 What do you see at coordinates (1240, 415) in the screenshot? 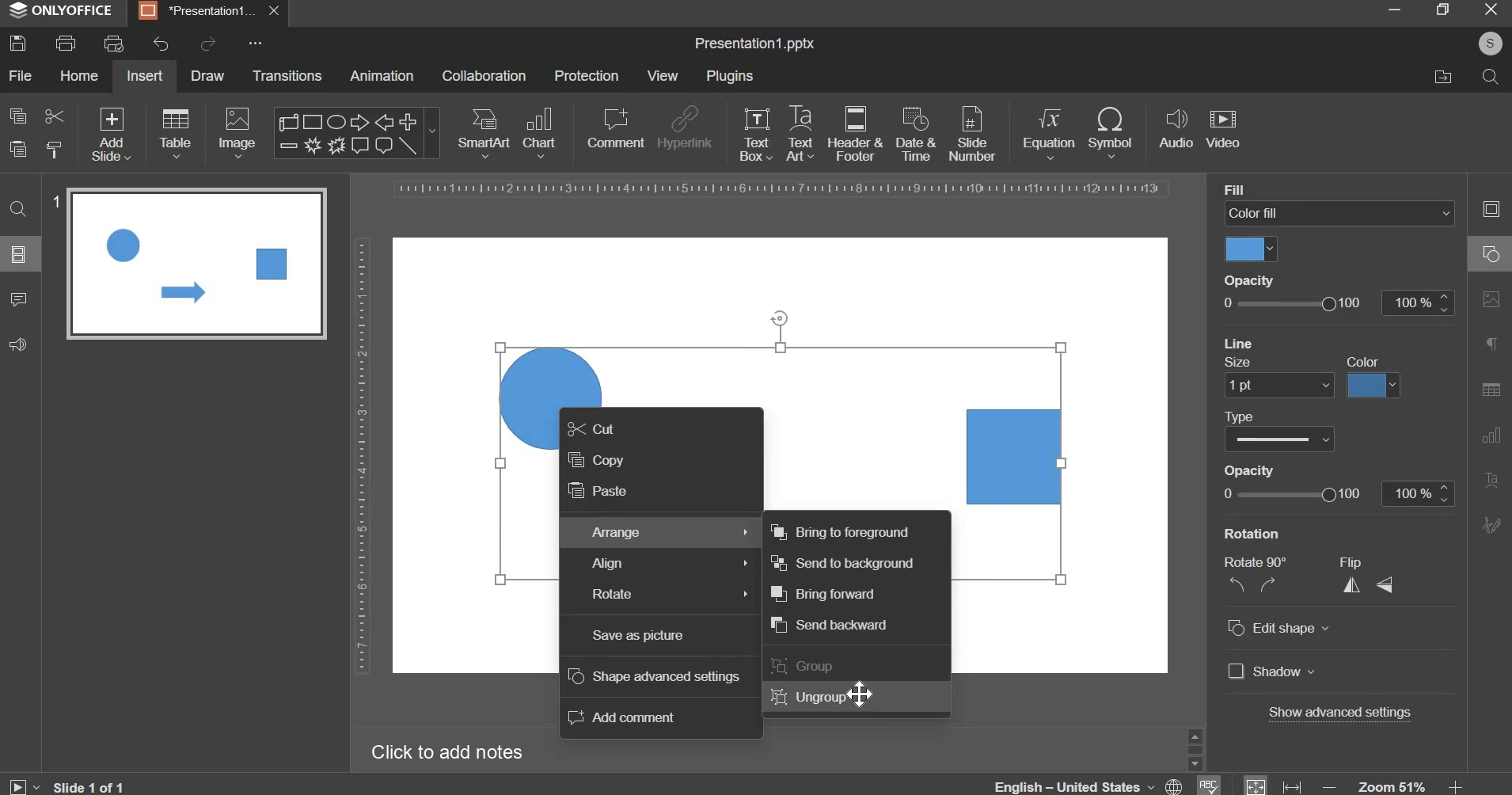
I see `type` at bounding box center [1240, 415].